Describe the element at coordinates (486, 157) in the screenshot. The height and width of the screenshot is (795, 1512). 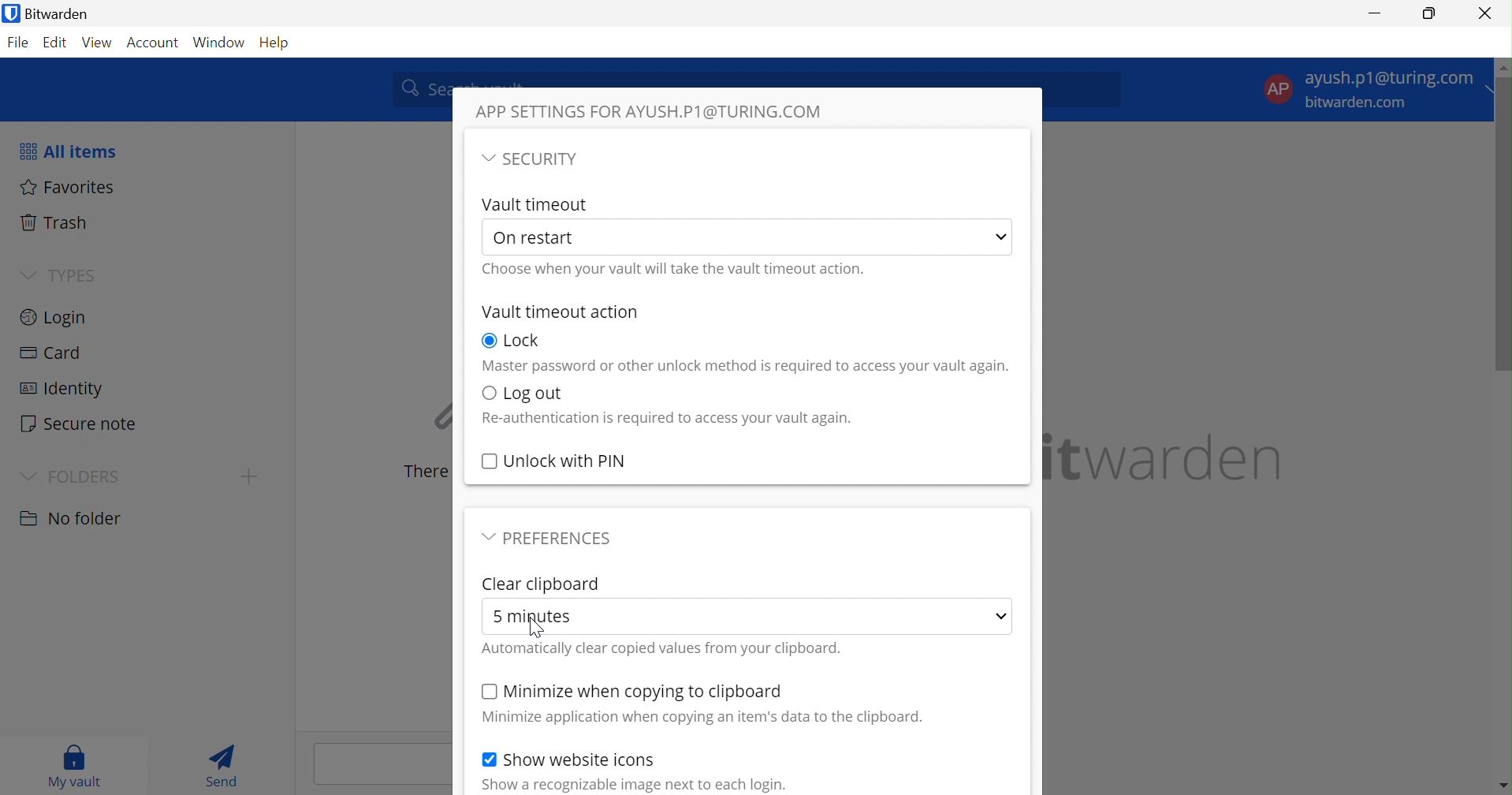
I see `Drop Down` at that location.